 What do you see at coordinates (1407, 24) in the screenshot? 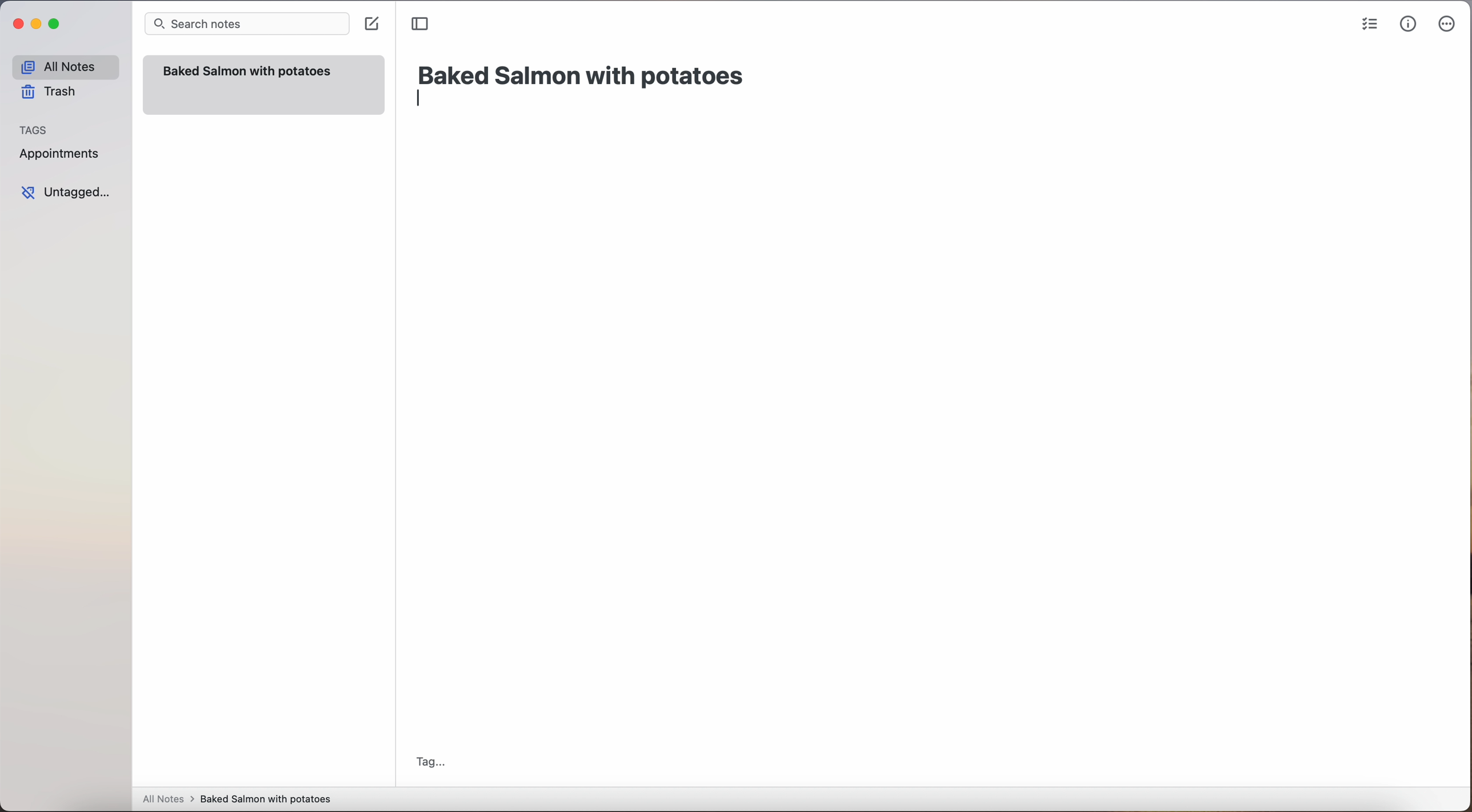
I see `metrics` at bounding box center [1407, 24].